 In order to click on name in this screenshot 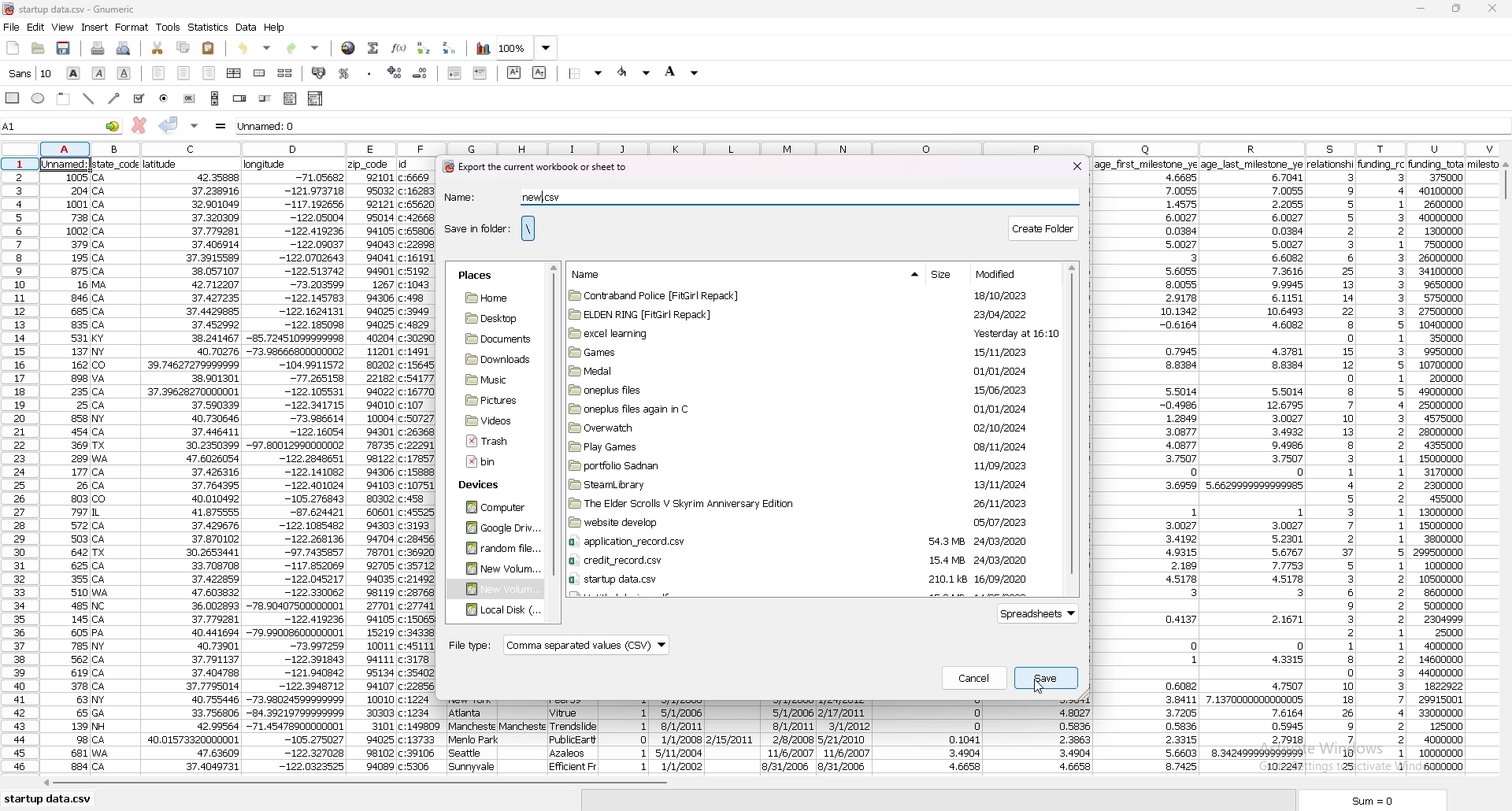, I will do `click(475, 197)`.